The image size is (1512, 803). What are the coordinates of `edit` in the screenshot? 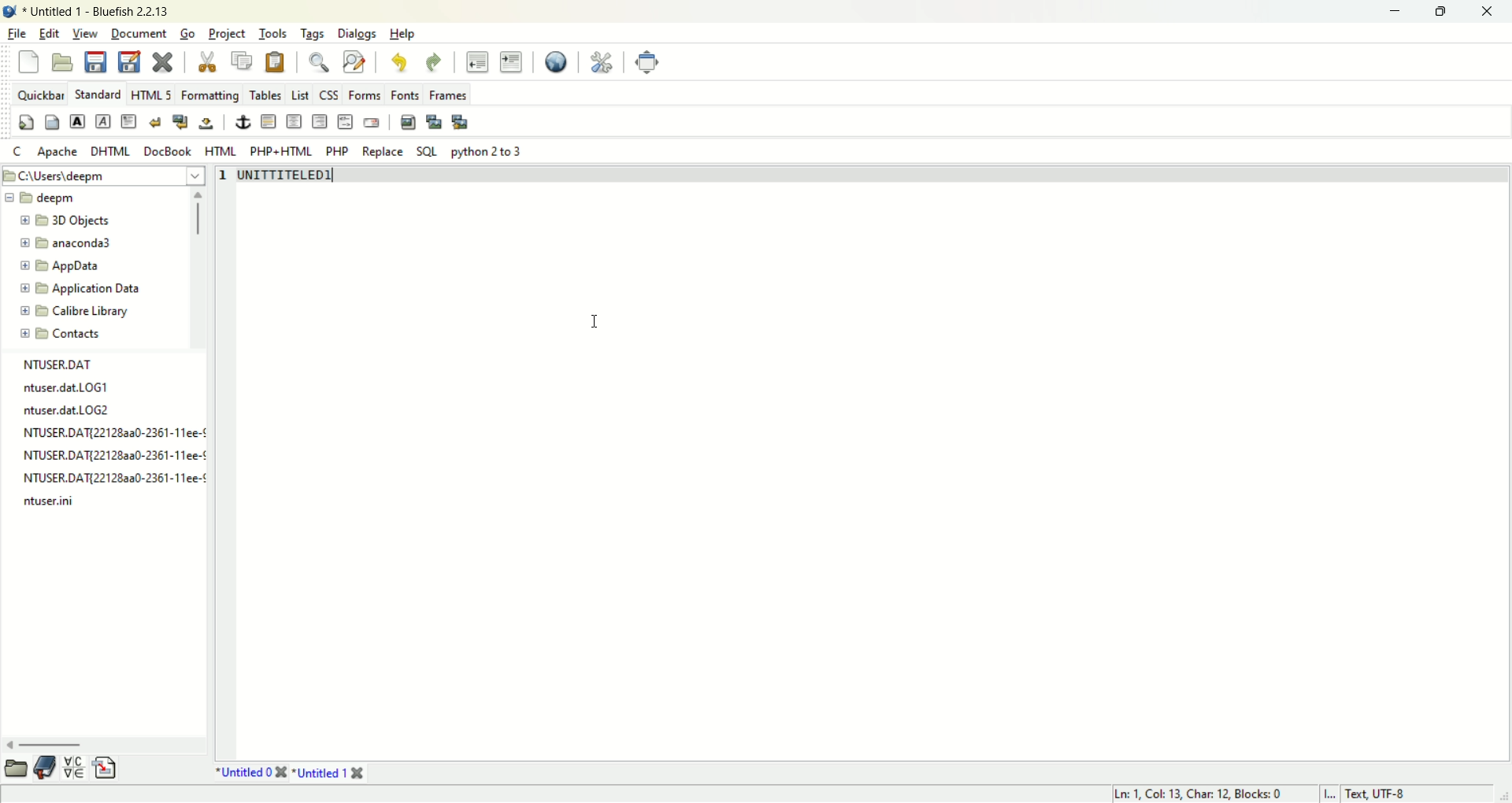 It's located at (48, 33).